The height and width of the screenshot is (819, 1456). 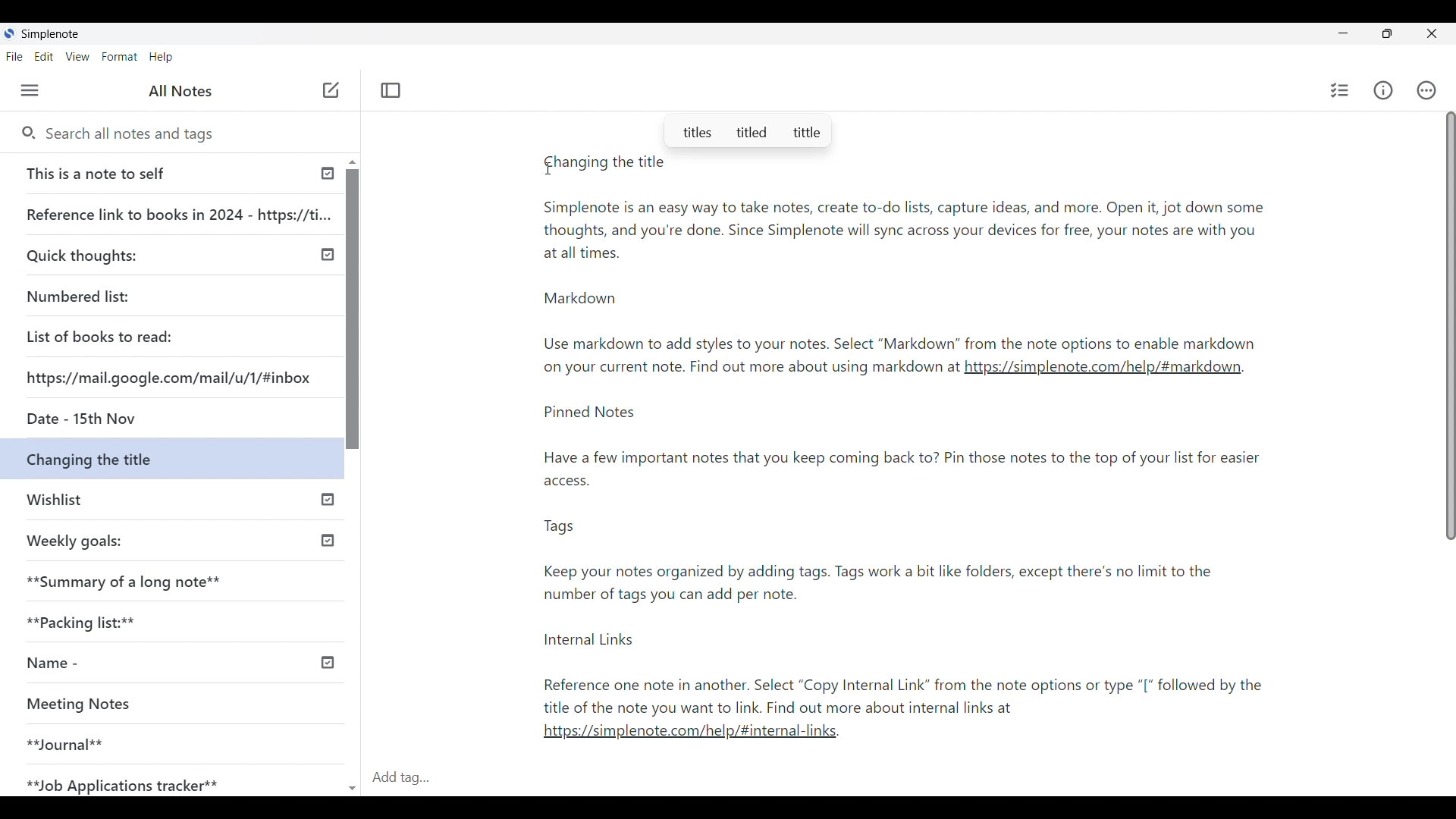 I want to click on Date, so click(x=168, y=419).